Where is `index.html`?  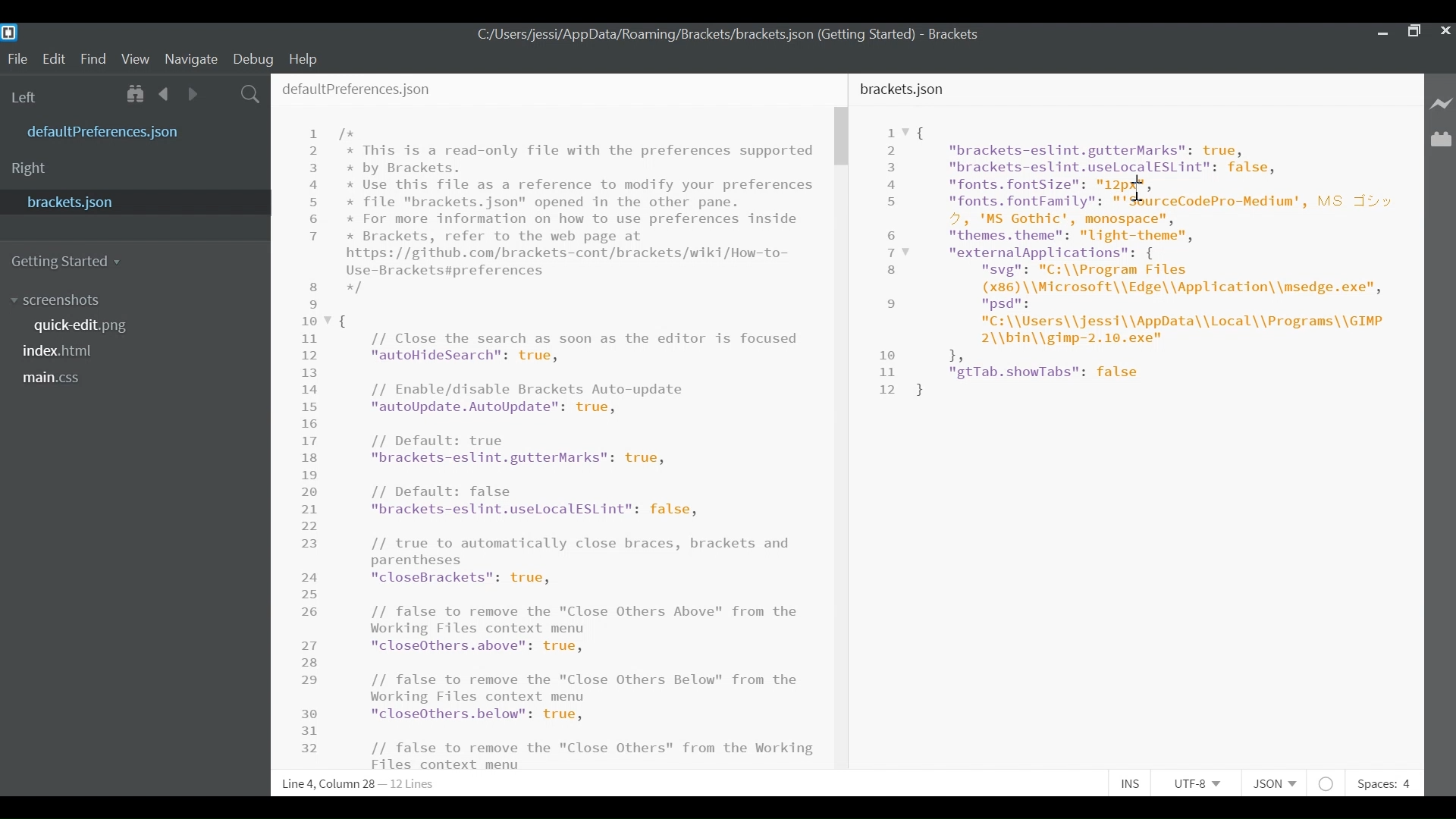
index.html is located at coordinates (63, 352).